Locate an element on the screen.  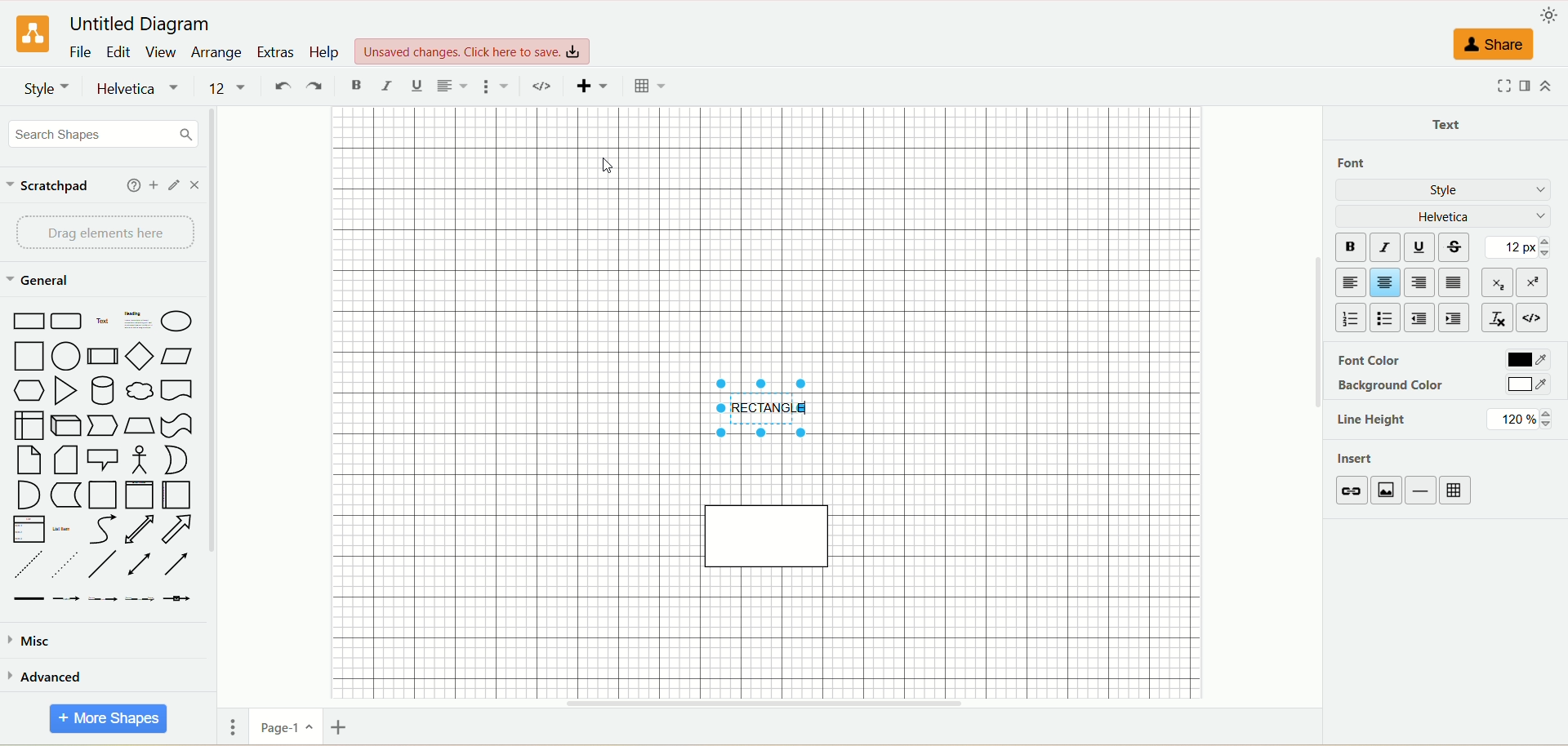
extras is located at coordinates (275, 51).